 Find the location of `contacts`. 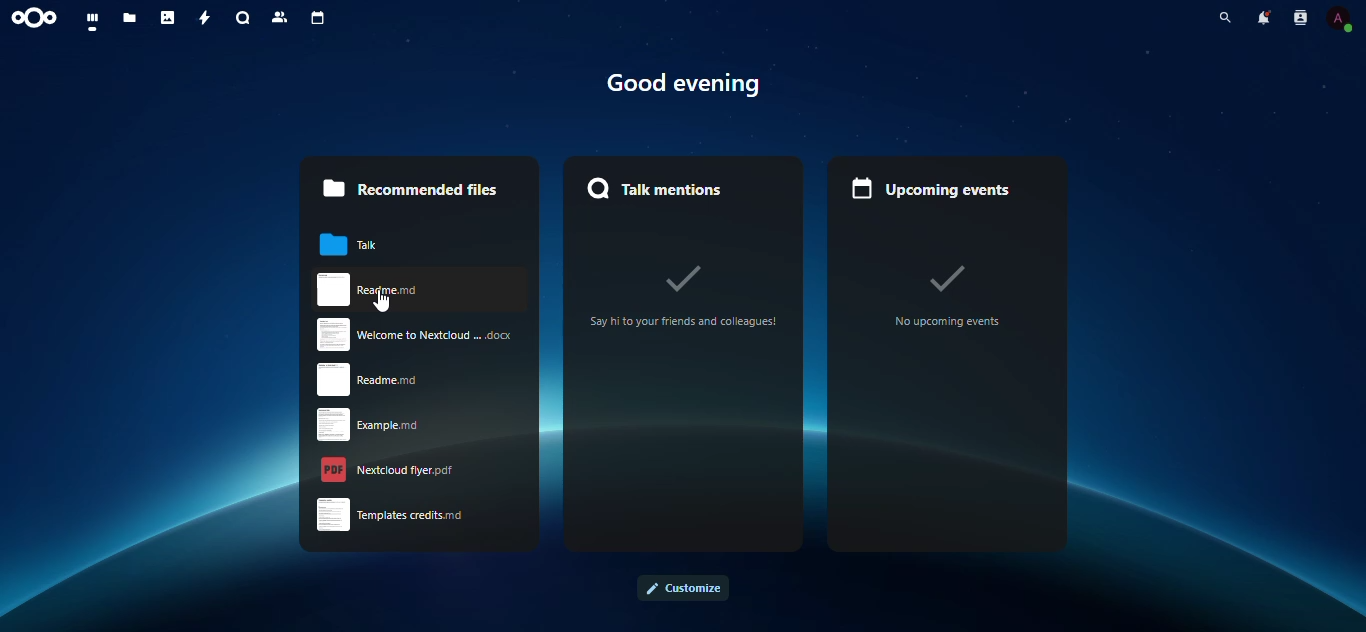

contacts is located at coordinates (280, 17).